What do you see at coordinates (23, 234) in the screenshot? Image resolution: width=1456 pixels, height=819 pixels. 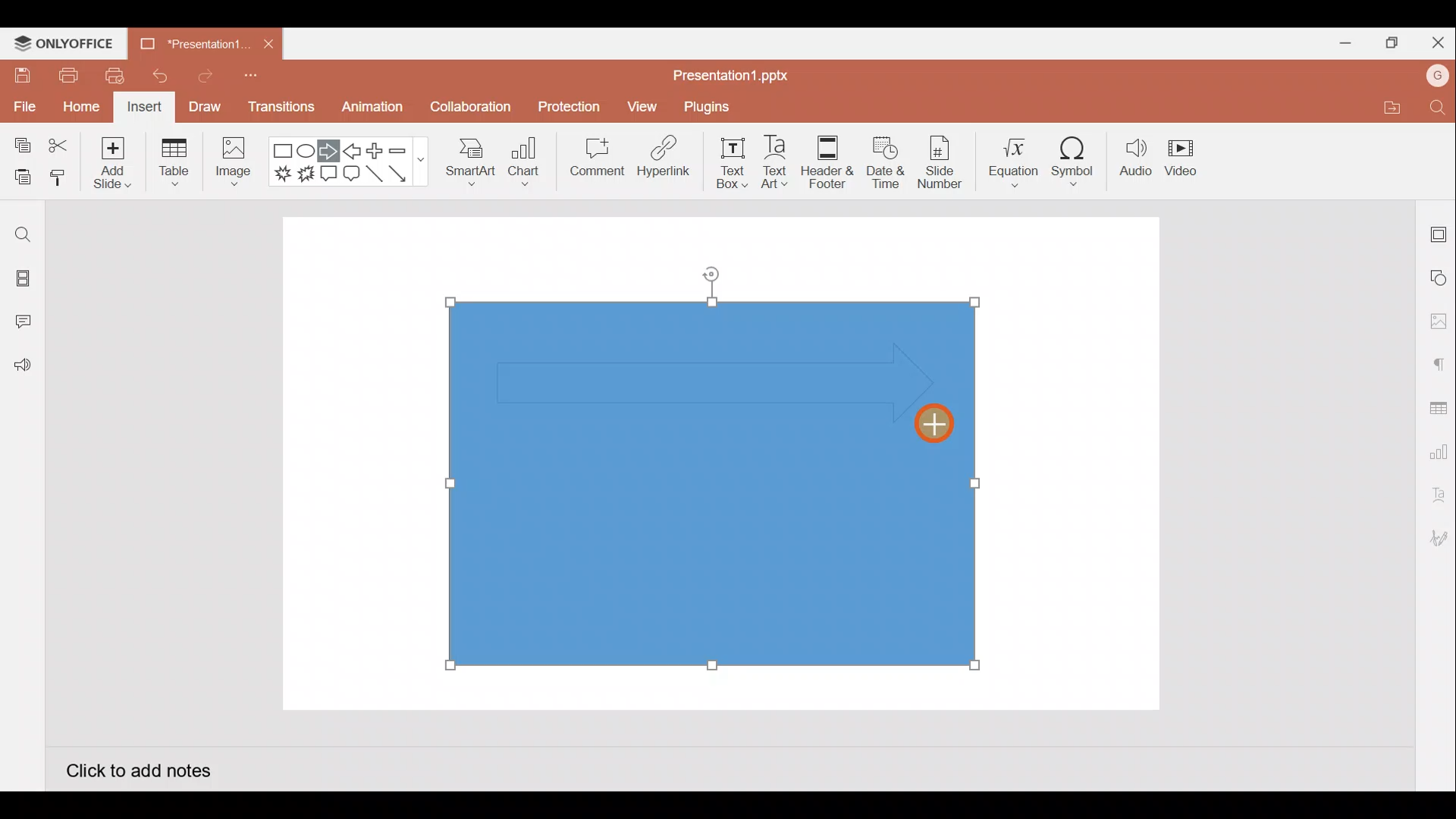 I see `Find` at bounding box center [23, 234].